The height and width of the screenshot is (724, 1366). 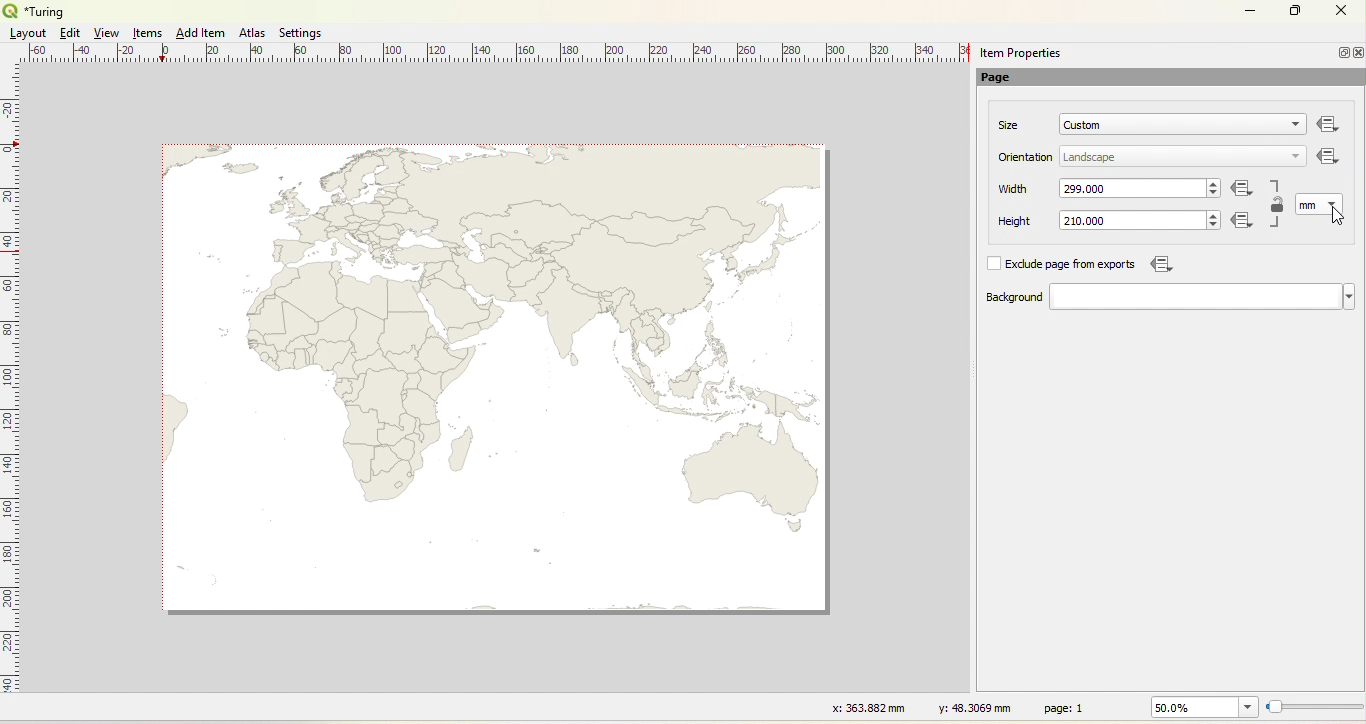 What do you see at coordinates (200, 33) in the screenshot?
I see `Add Item` at bounding box center [200, 33].